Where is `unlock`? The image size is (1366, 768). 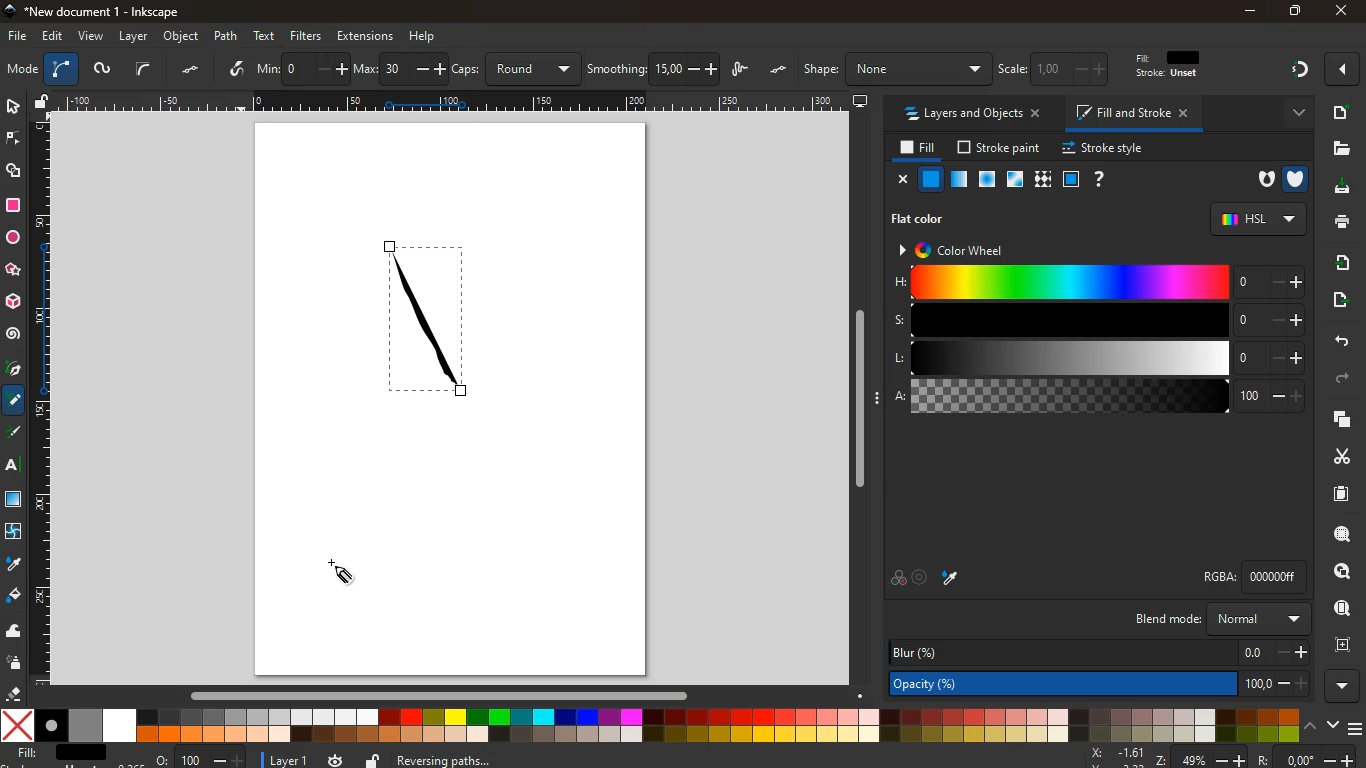 unlock is located at coordinates (373, 759).